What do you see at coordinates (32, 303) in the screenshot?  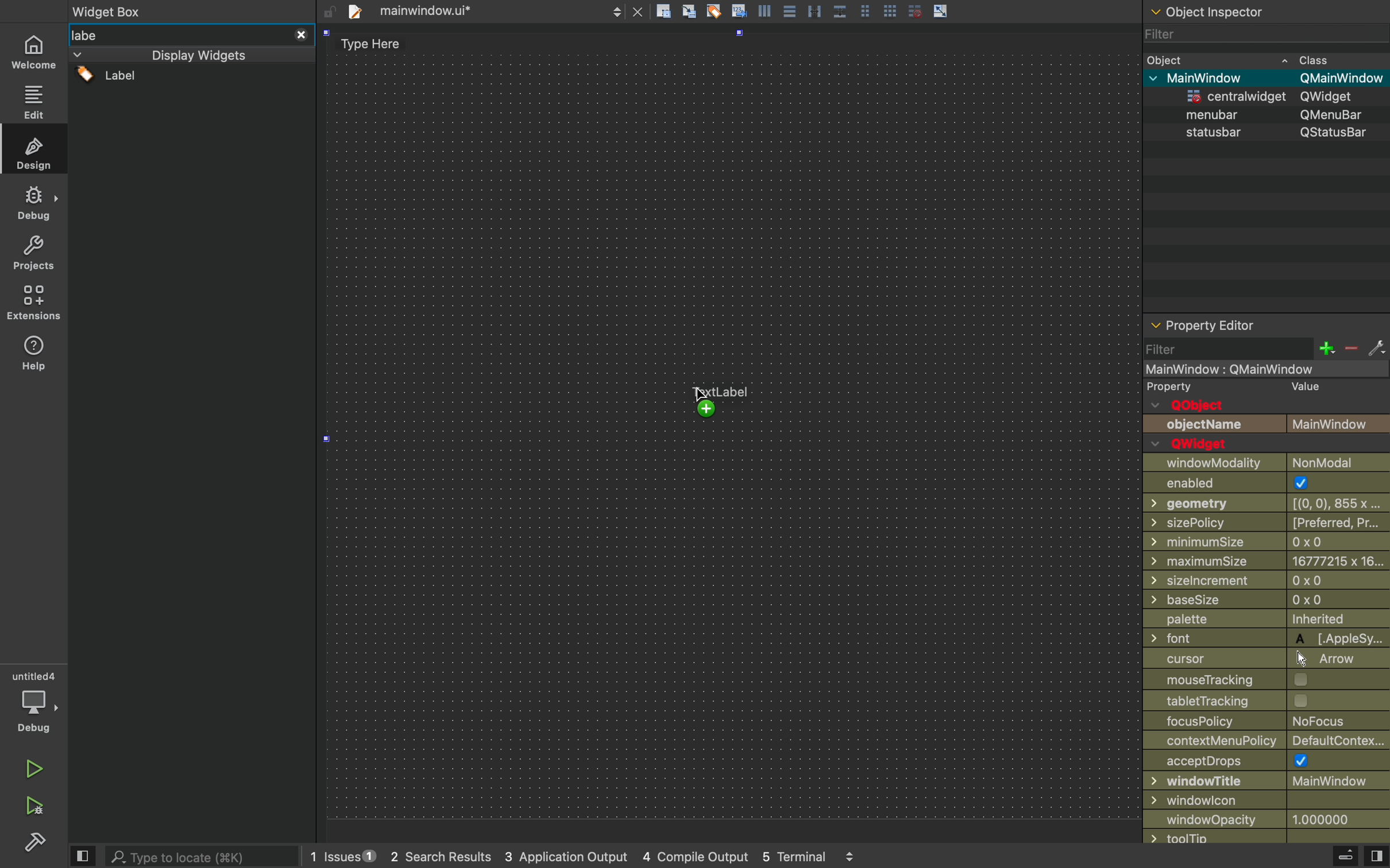 I see `environmnt` at bounding box center [32, 303].